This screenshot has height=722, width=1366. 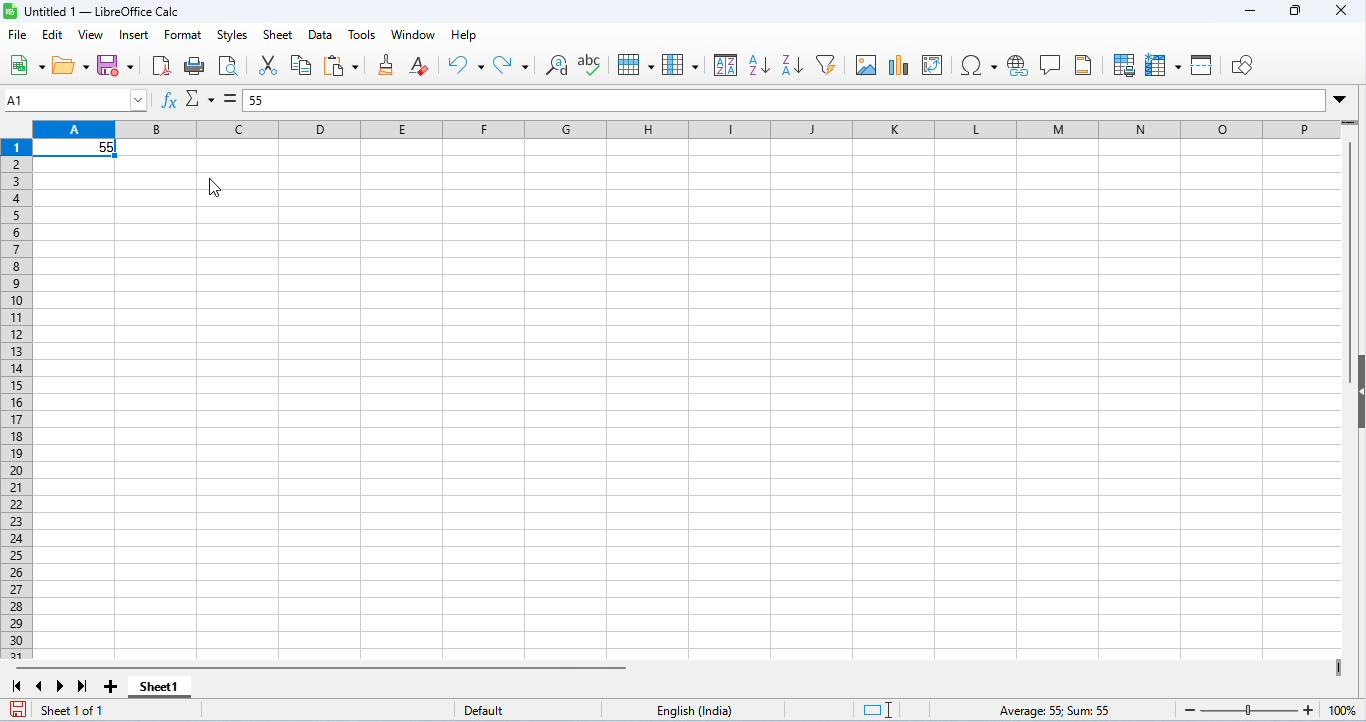 What do you see at coordinates (1336, 666) in the screenshot?
I see `drag to view more column` at bounding box center [1336, 666].